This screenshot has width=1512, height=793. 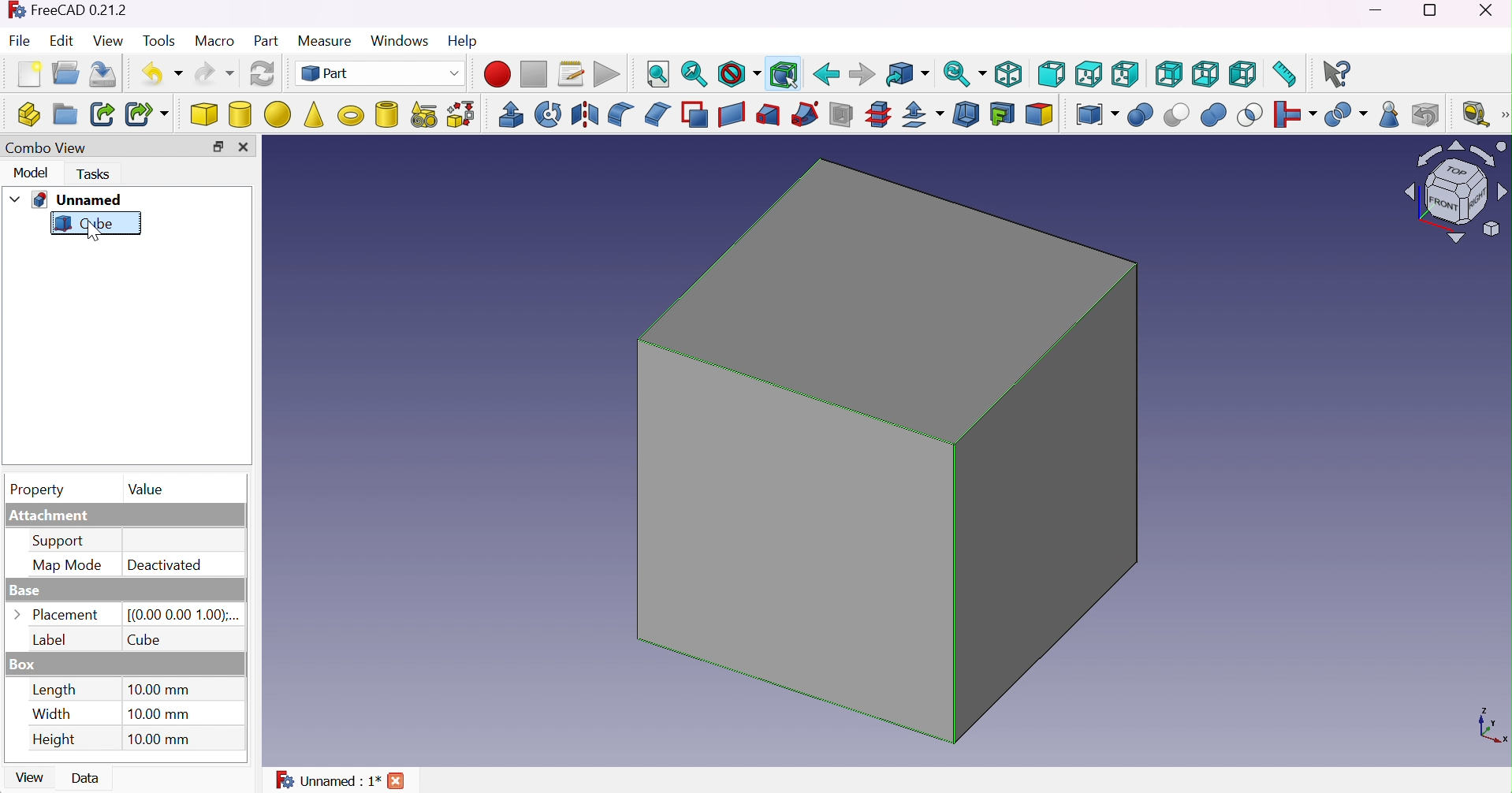 I want to click on Cube, so click(x=84, y=225).